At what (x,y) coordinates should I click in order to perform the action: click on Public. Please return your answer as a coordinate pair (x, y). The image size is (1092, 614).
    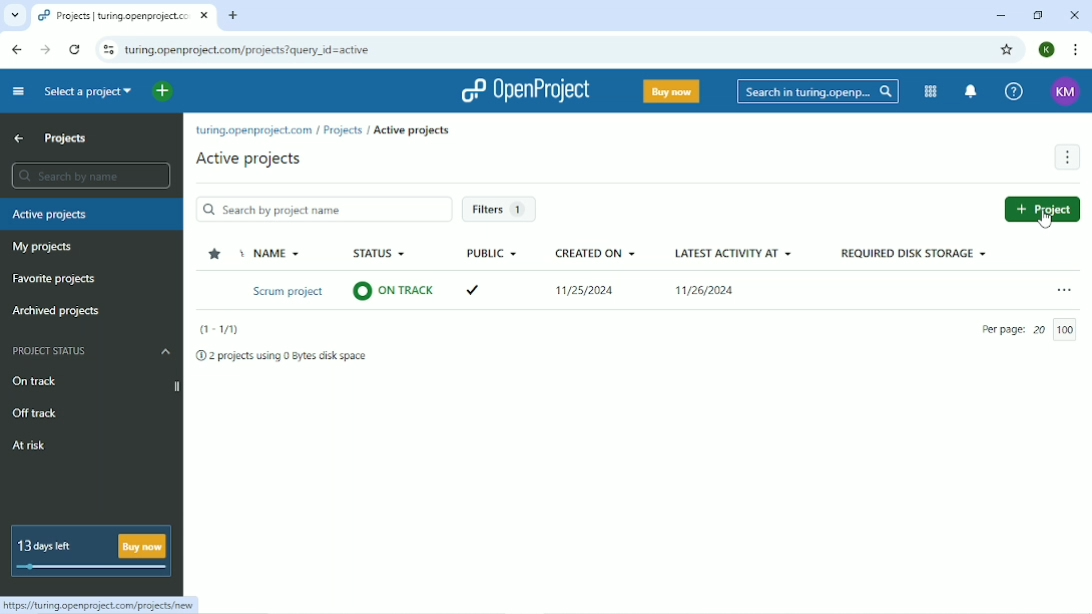
    Looking at the image, I should click on (491, 253).